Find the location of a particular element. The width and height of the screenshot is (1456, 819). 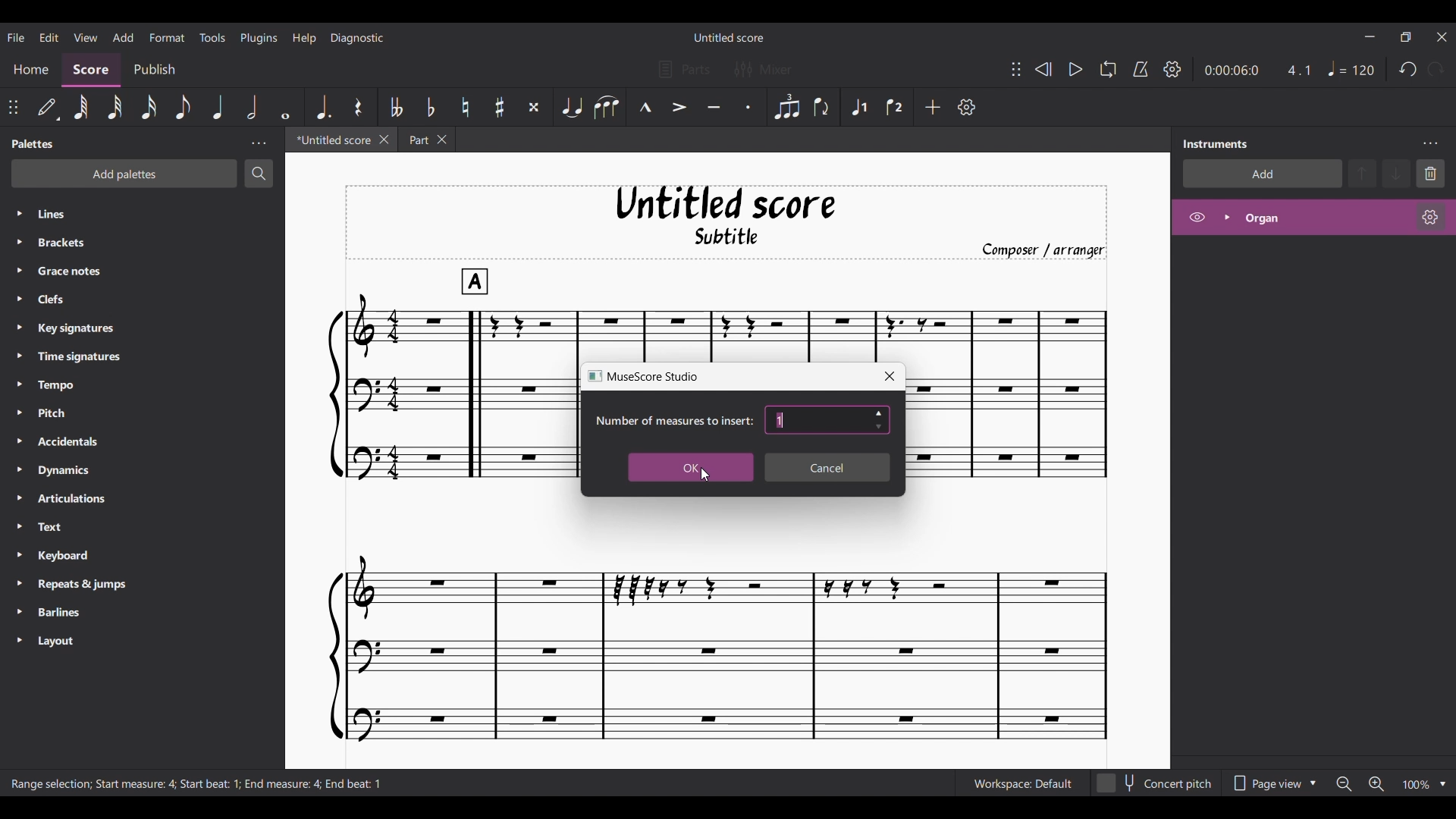

Help menu is located at coordinates (304, 38).